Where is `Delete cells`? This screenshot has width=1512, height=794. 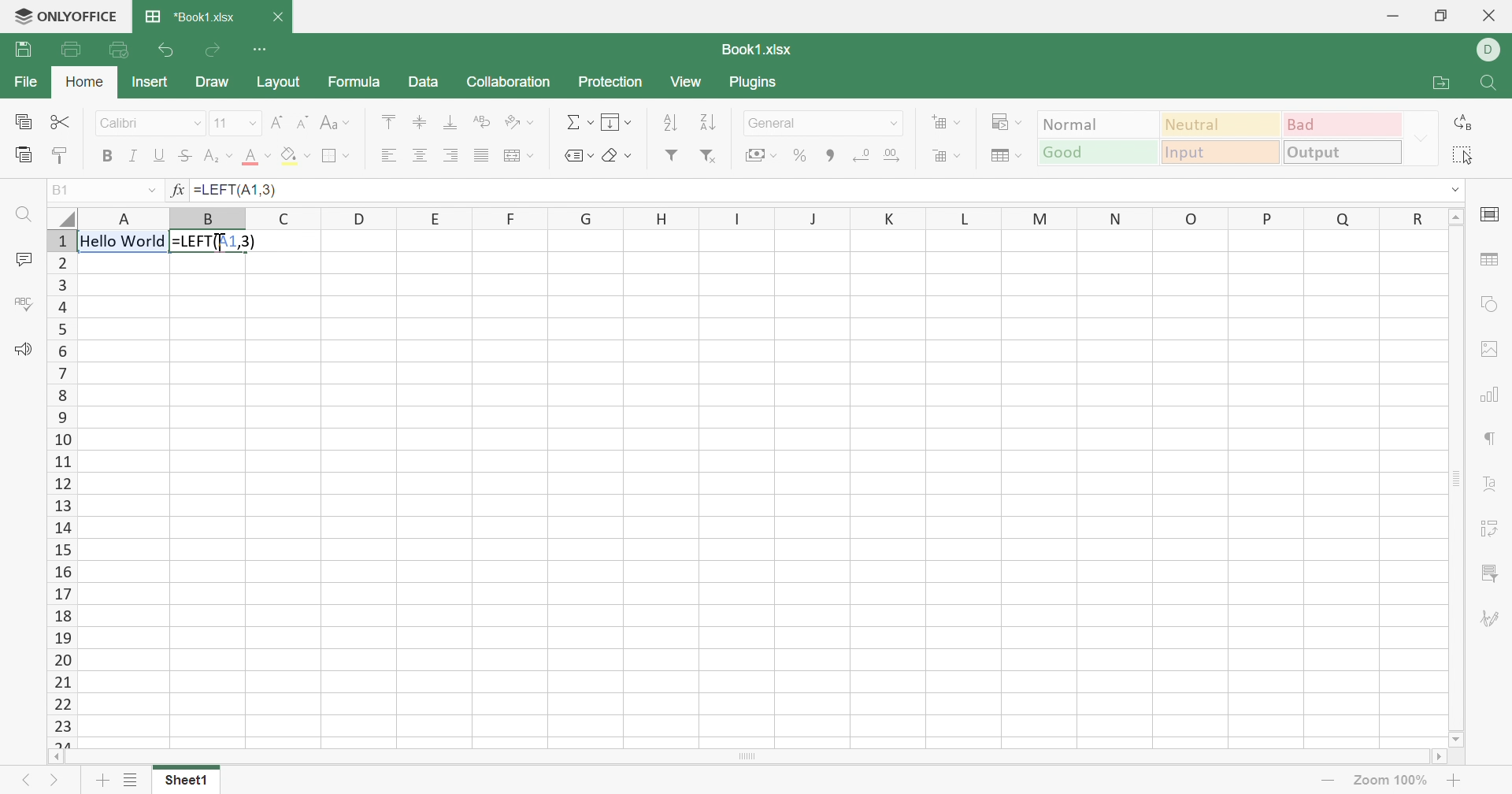 Delete cells is located at coordinates (947, 155).